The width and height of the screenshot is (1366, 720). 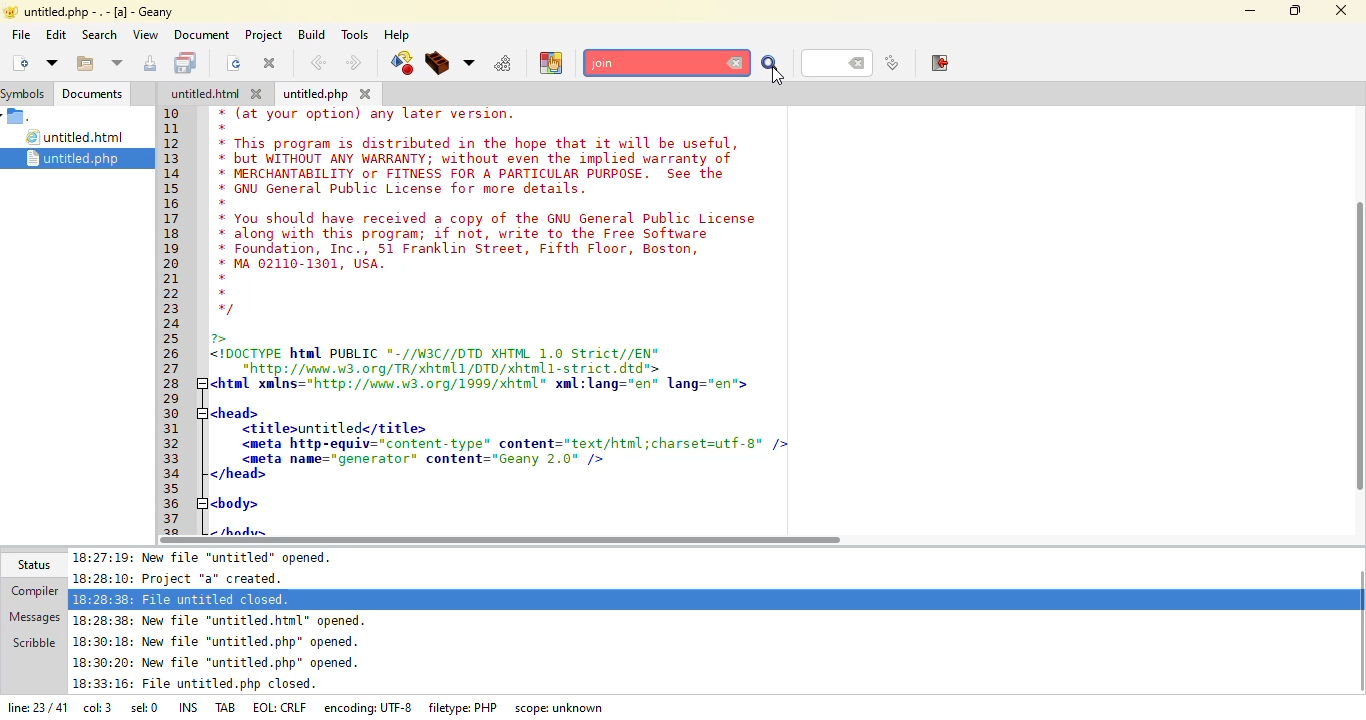 I want to click on encoding: utf-8, so click(x=372, y=707).